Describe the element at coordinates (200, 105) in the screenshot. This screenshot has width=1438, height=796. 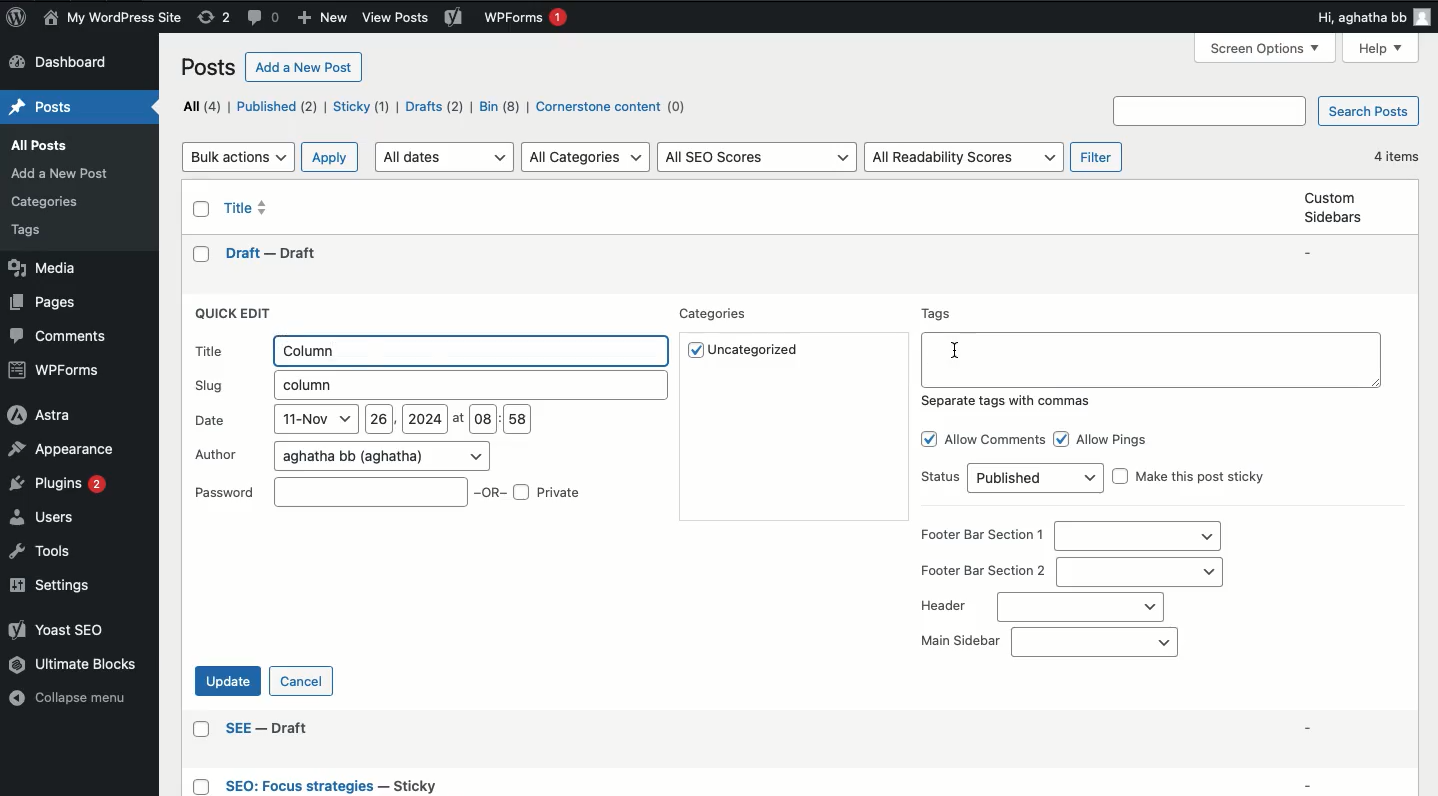
I see `All` at that location.